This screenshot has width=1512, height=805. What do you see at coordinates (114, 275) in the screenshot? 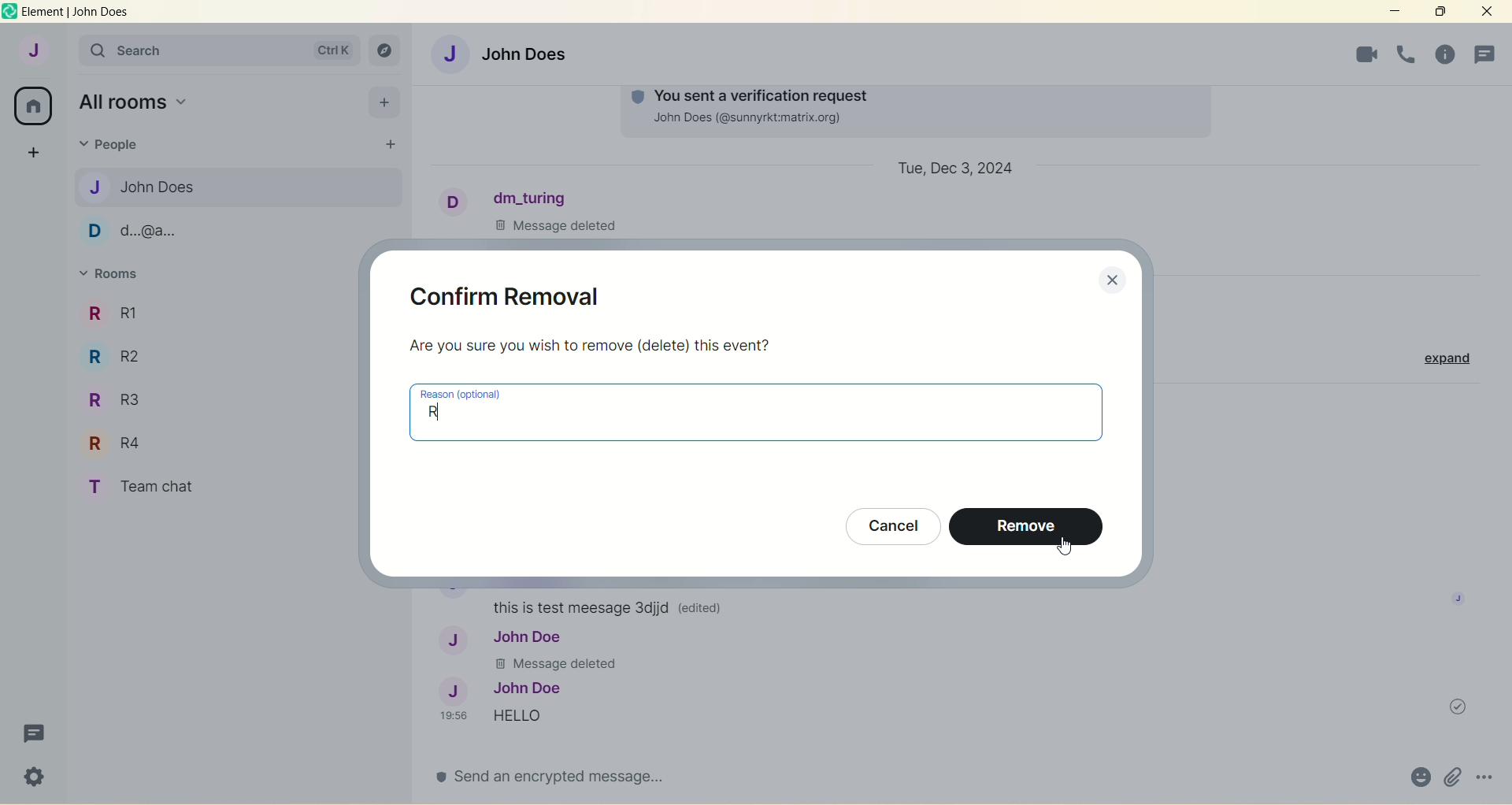
I see `rooms` at bounding box center [114, 275].